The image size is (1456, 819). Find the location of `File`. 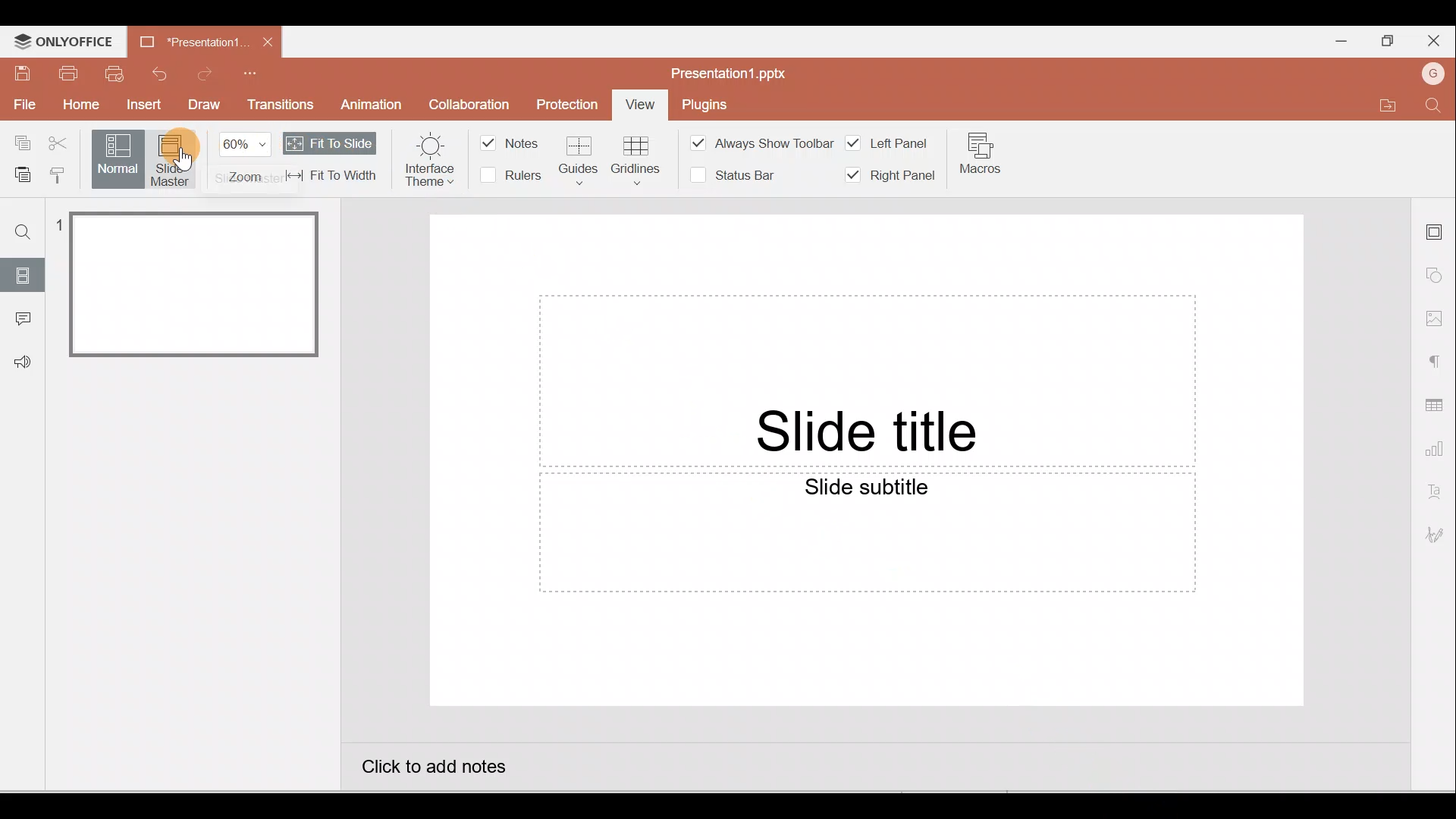

File is located at coordinates (23, 106).